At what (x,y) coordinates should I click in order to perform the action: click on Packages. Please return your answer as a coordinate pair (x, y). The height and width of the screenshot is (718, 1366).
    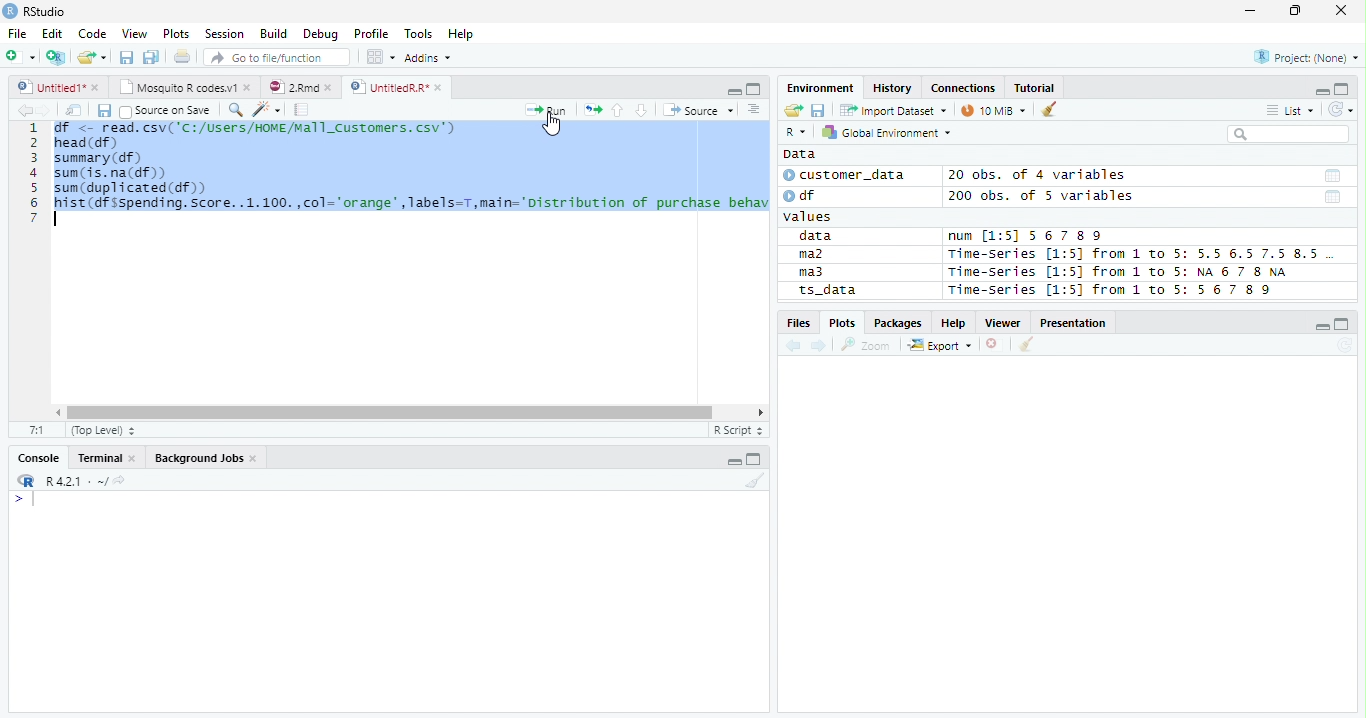
    Looking at the image, I should click on (897, 324).